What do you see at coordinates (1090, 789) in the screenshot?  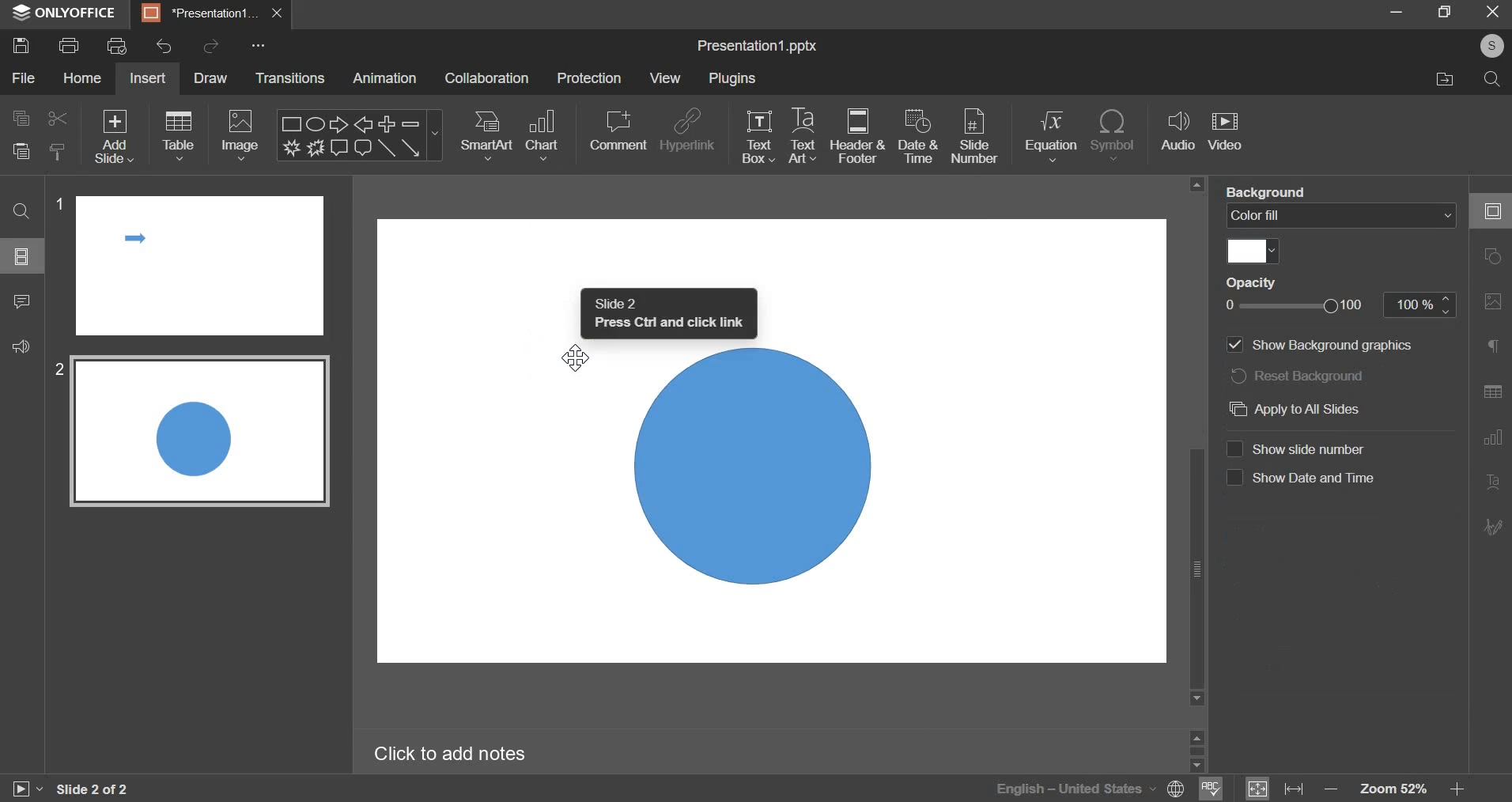 I see `selected language` at bounding box center [1090, 789].